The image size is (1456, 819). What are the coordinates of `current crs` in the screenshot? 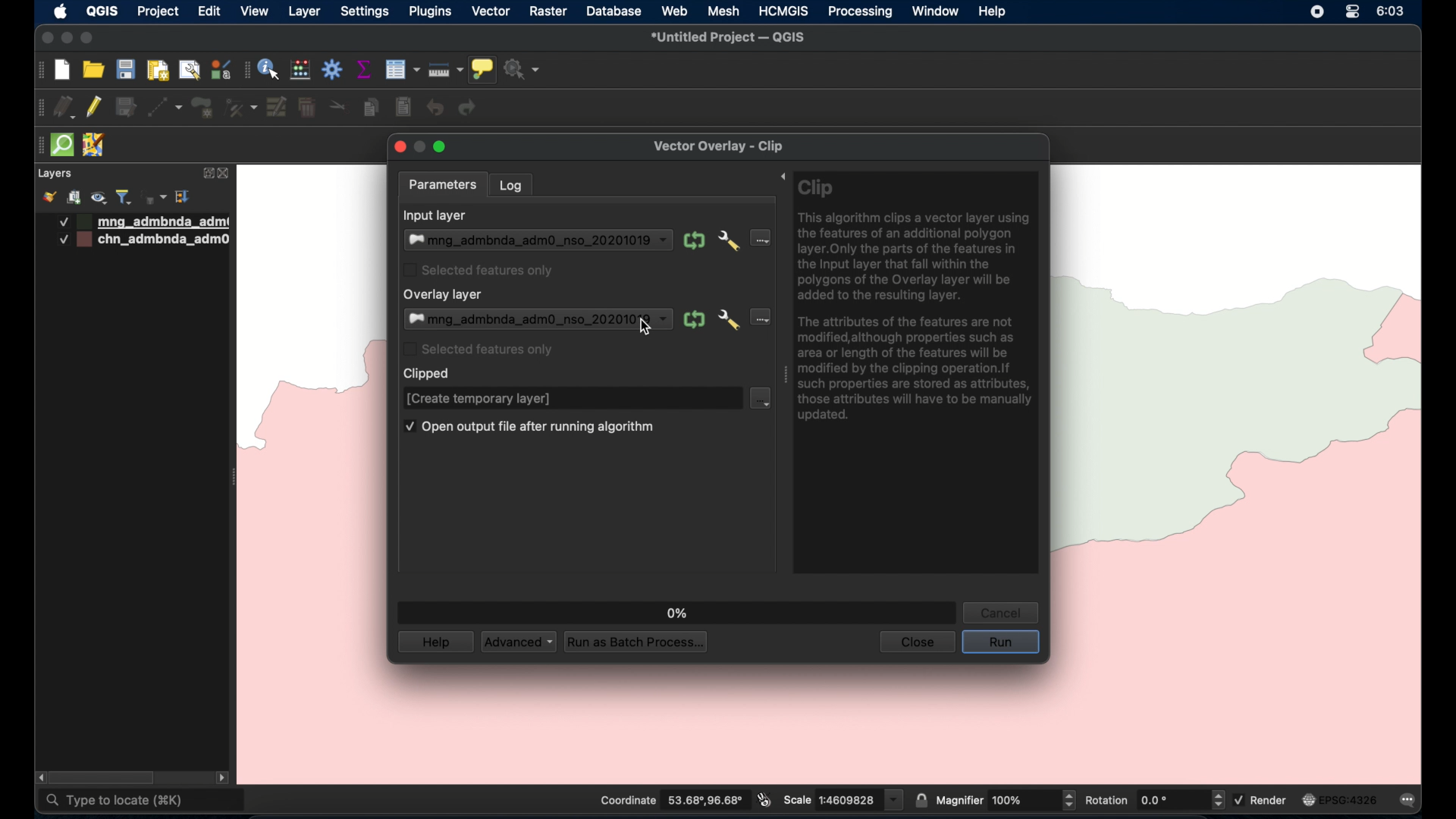 It's located at (1340, 799).